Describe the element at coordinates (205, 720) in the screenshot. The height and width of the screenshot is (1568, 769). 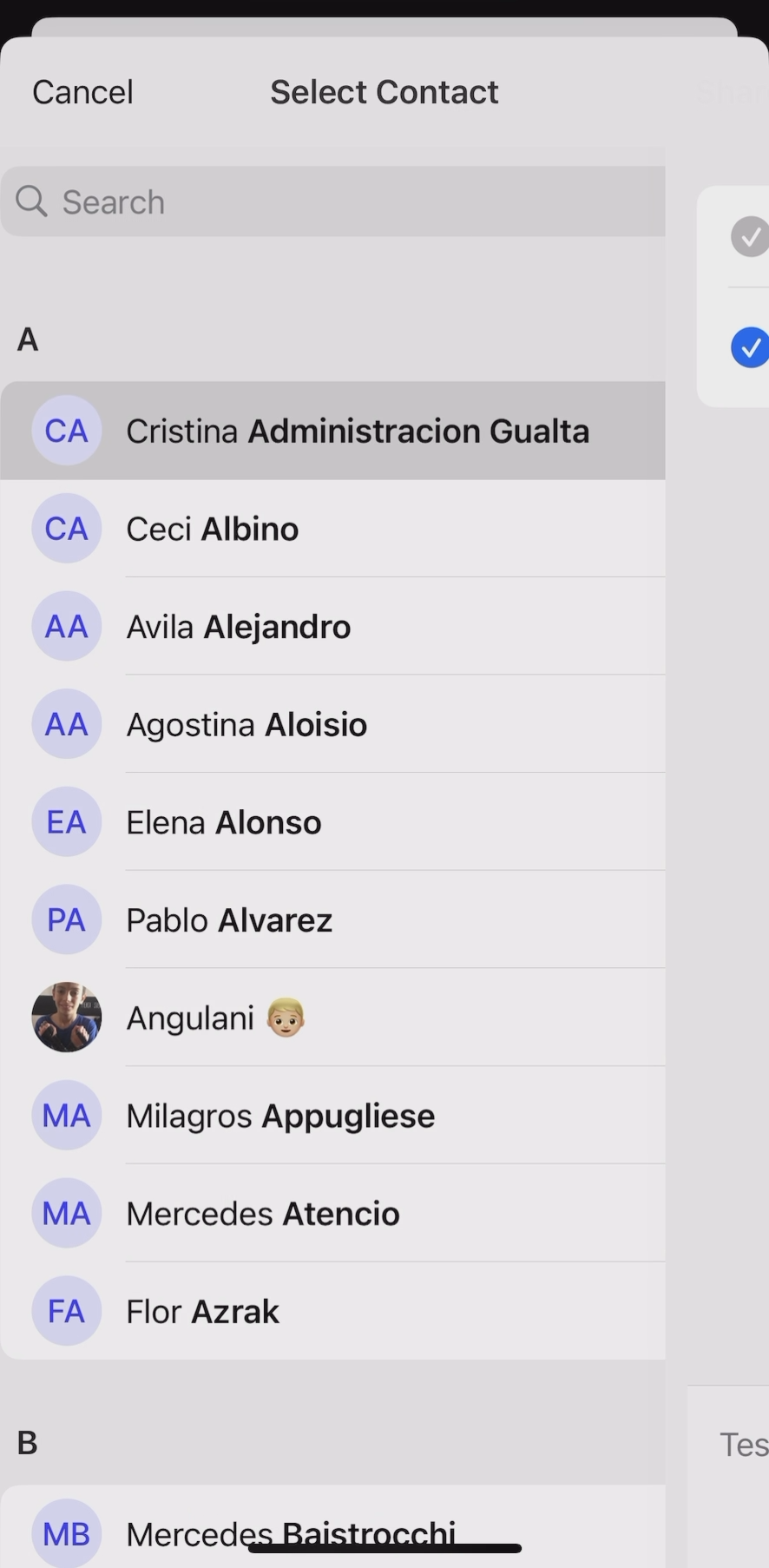
I see `Agostina Aloisio` at that location.